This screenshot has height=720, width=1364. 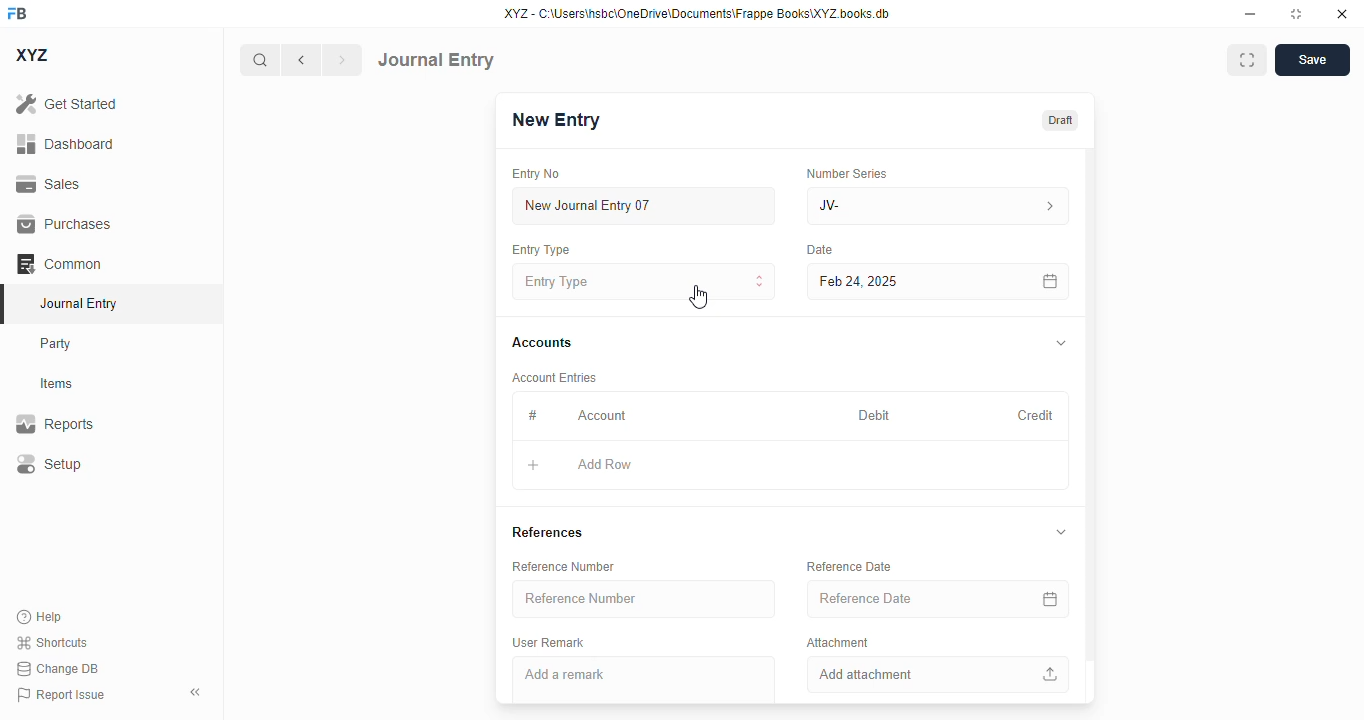 I want to click on dashboard, so click(x=65, y=143).